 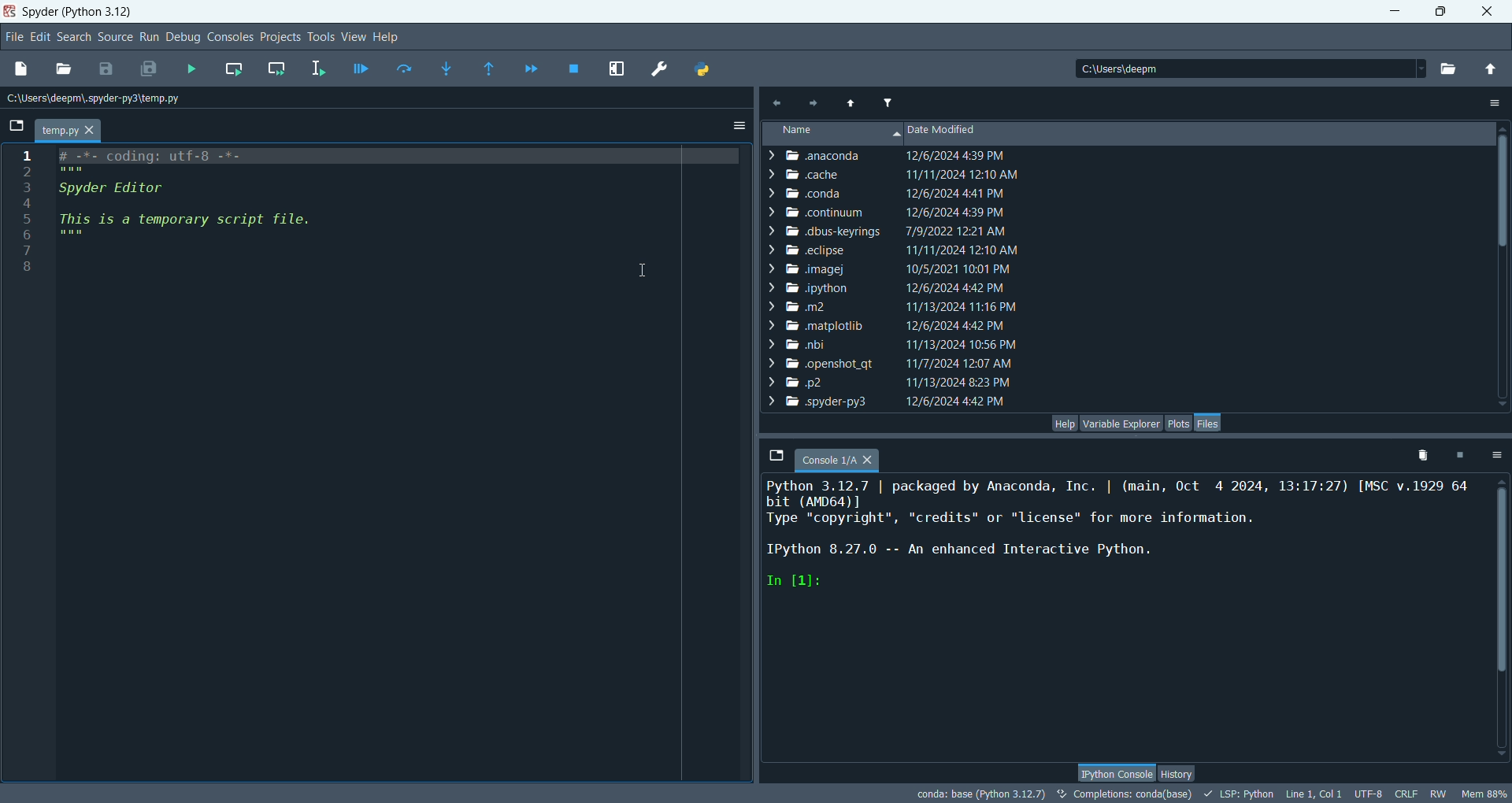 What do you see at coordinates (1369, 794) in the screenshot?
I see `UTF-8` at bounding box center [1369, 794].